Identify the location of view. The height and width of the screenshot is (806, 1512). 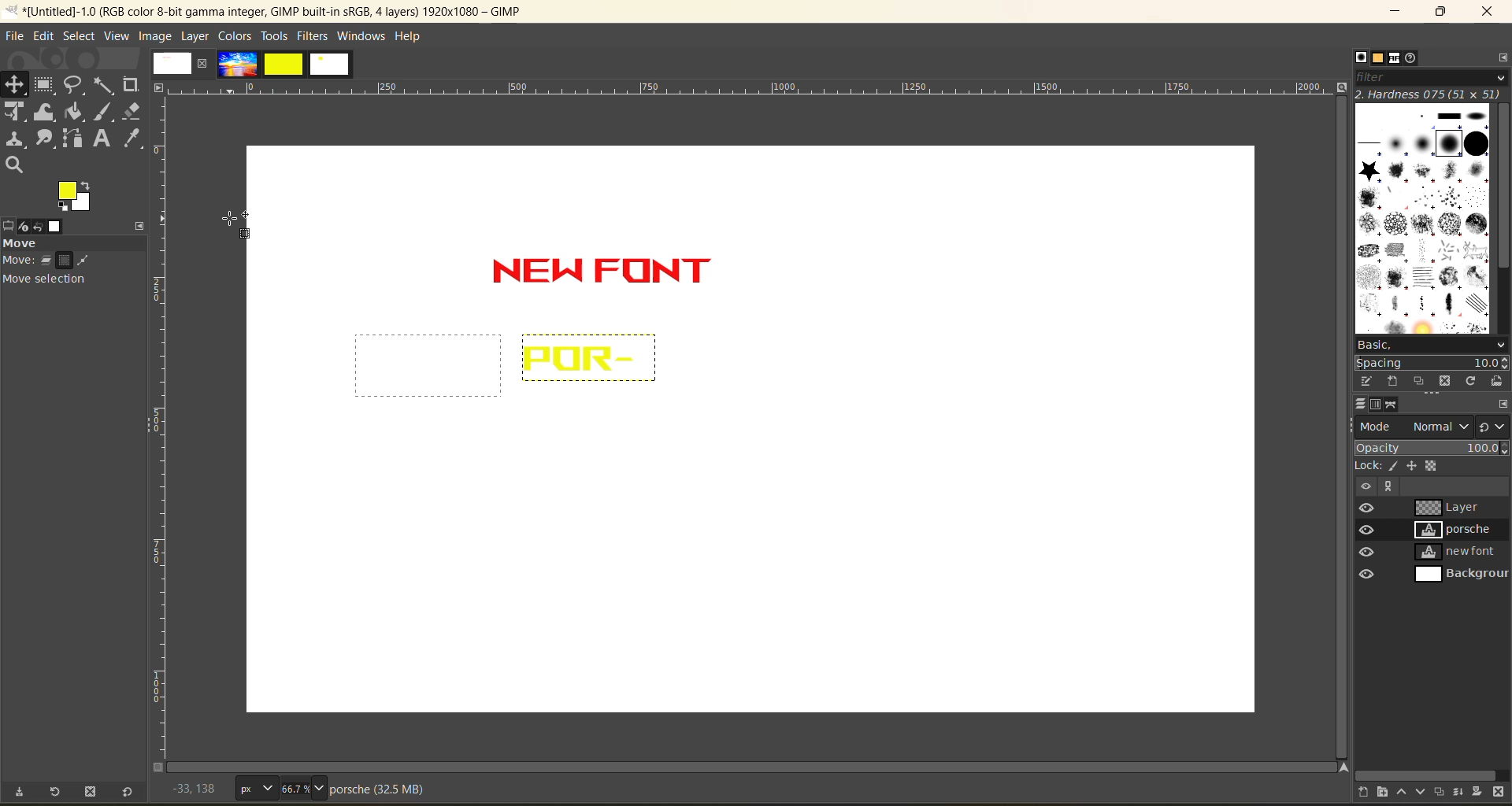
(116, 38).